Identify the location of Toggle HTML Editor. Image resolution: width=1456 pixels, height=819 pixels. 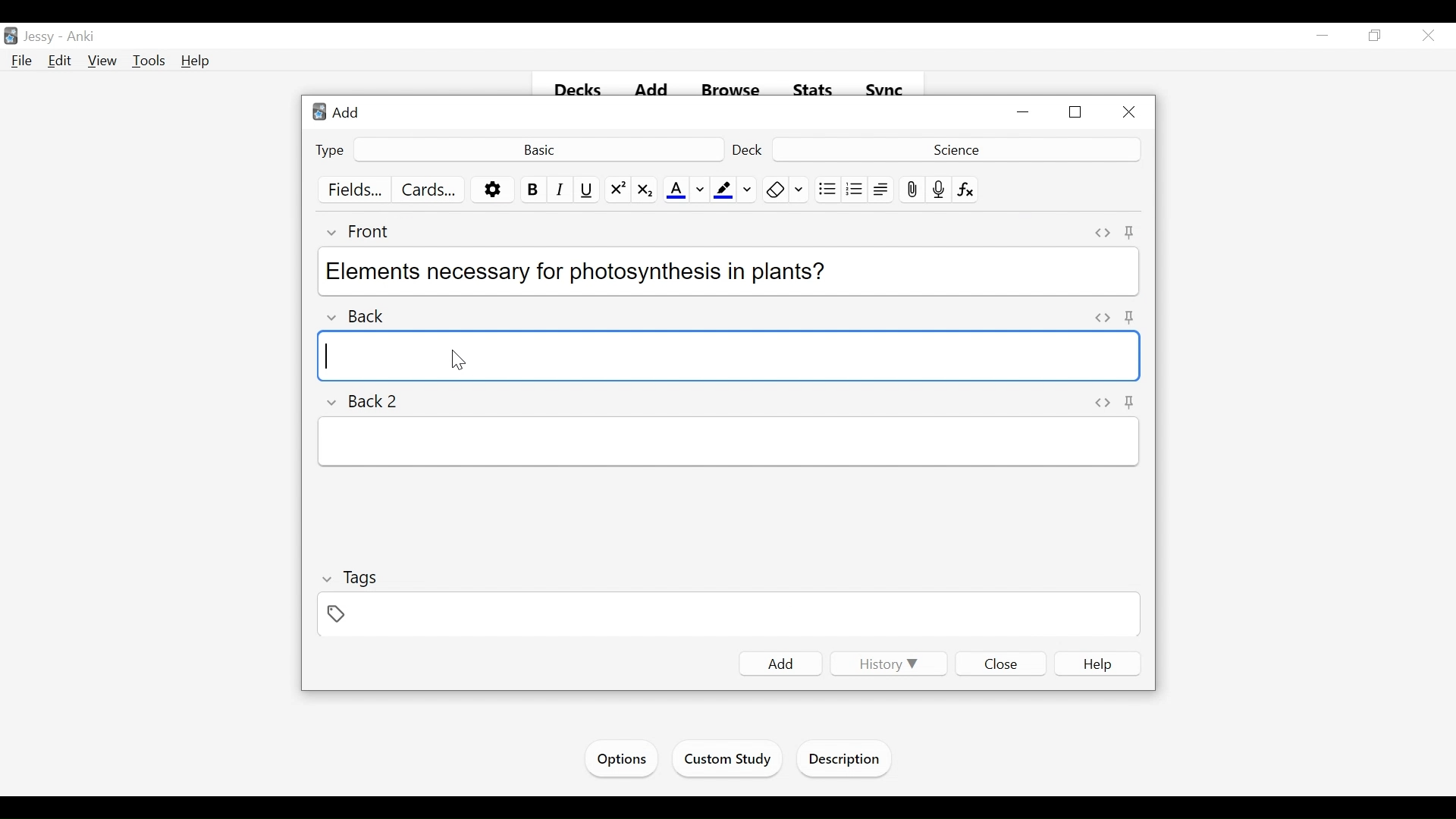
(1103, 233).